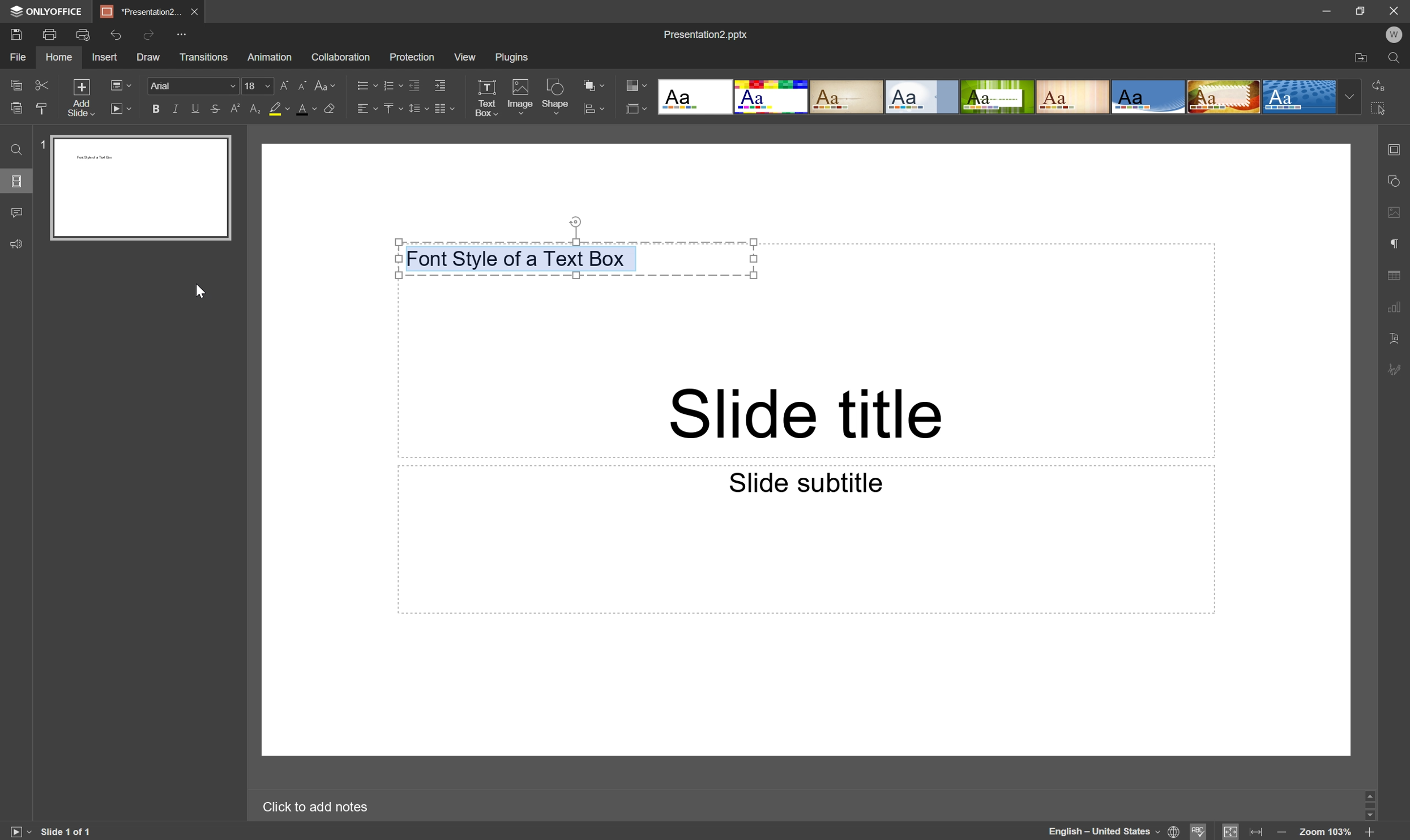 This screenshot has width=1410, height=840. What do you see at coordinates (140, 187) in the screenshot?
I see `Slide` at bounding box center [140, 187].